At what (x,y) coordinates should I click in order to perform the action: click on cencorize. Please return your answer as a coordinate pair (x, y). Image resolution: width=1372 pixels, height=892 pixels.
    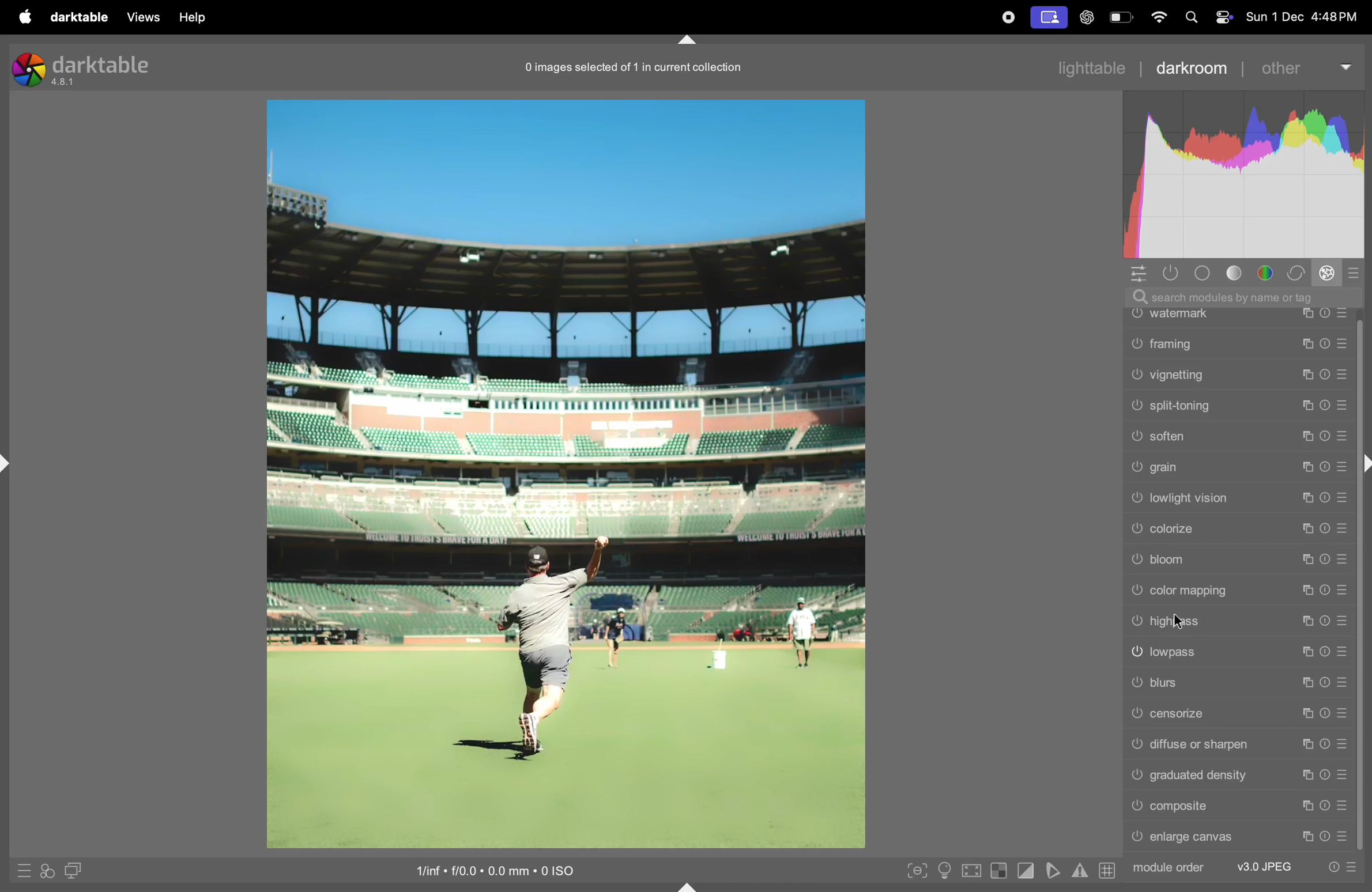
    Looking at the image, I should click on (1237, 713).